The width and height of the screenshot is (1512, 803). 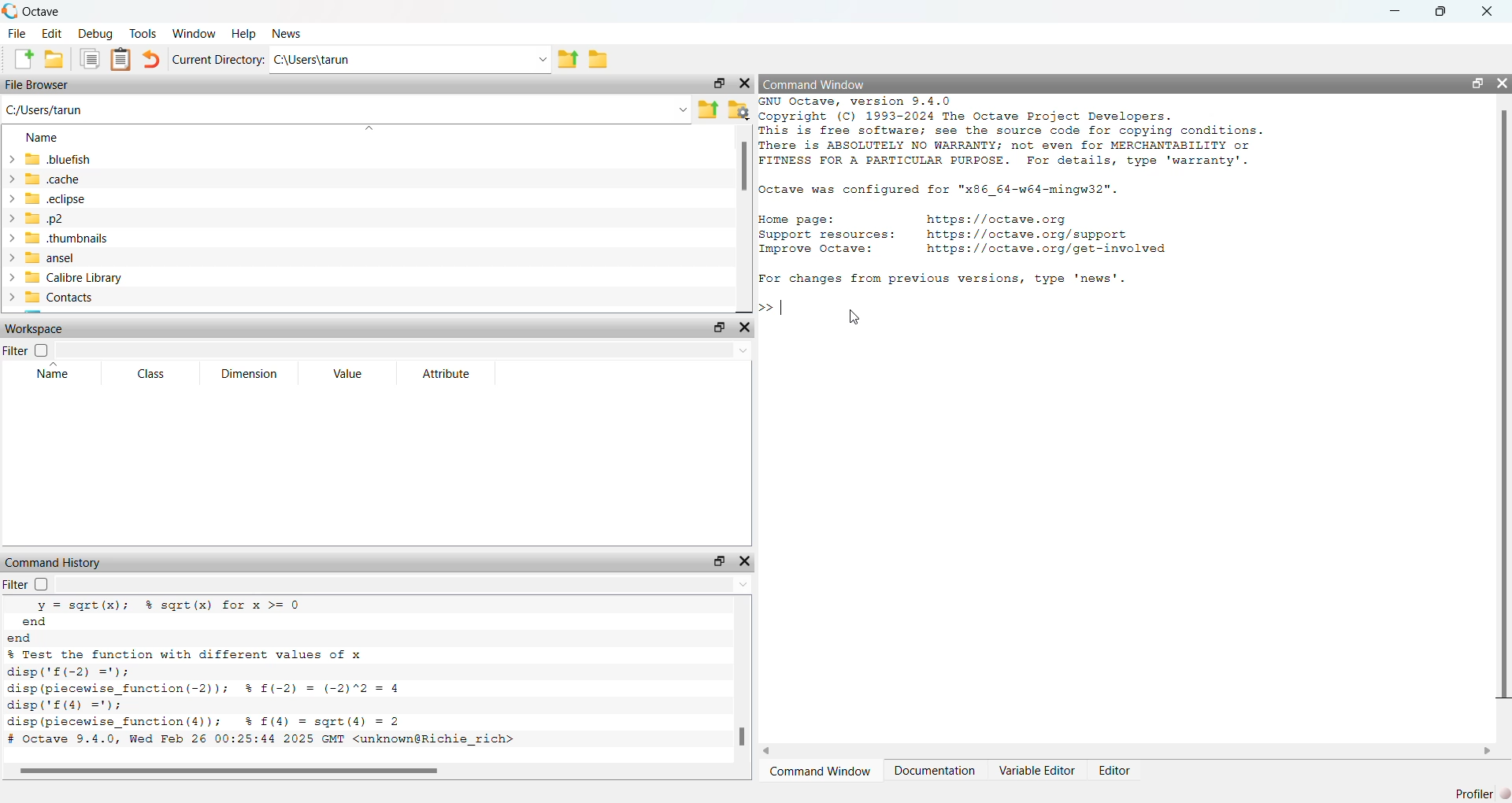 I want to click on Scrollbar, so click(x=739, y=736).